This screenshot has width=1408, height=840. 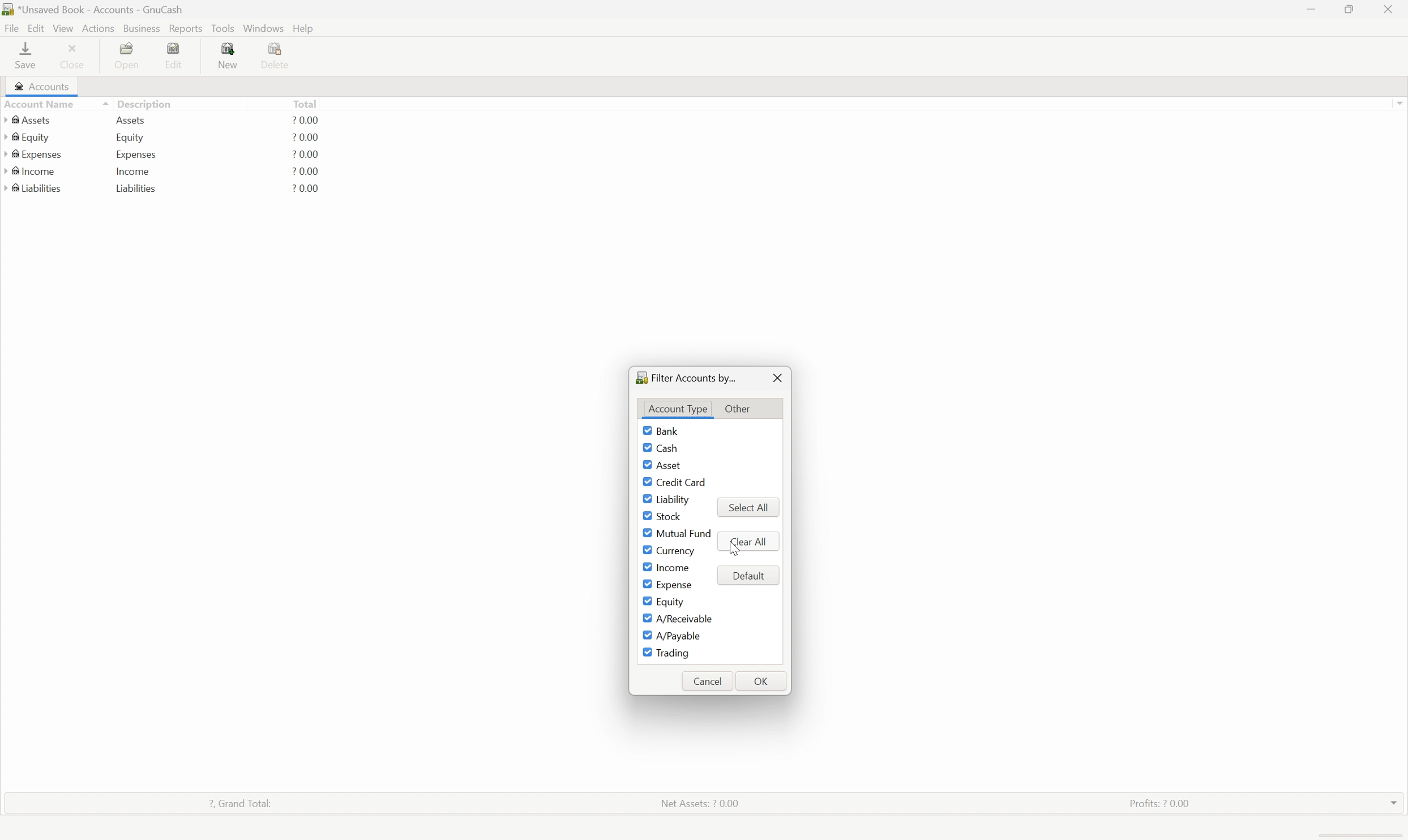 I want to click on Checkbox, so click(x=645, y=550).